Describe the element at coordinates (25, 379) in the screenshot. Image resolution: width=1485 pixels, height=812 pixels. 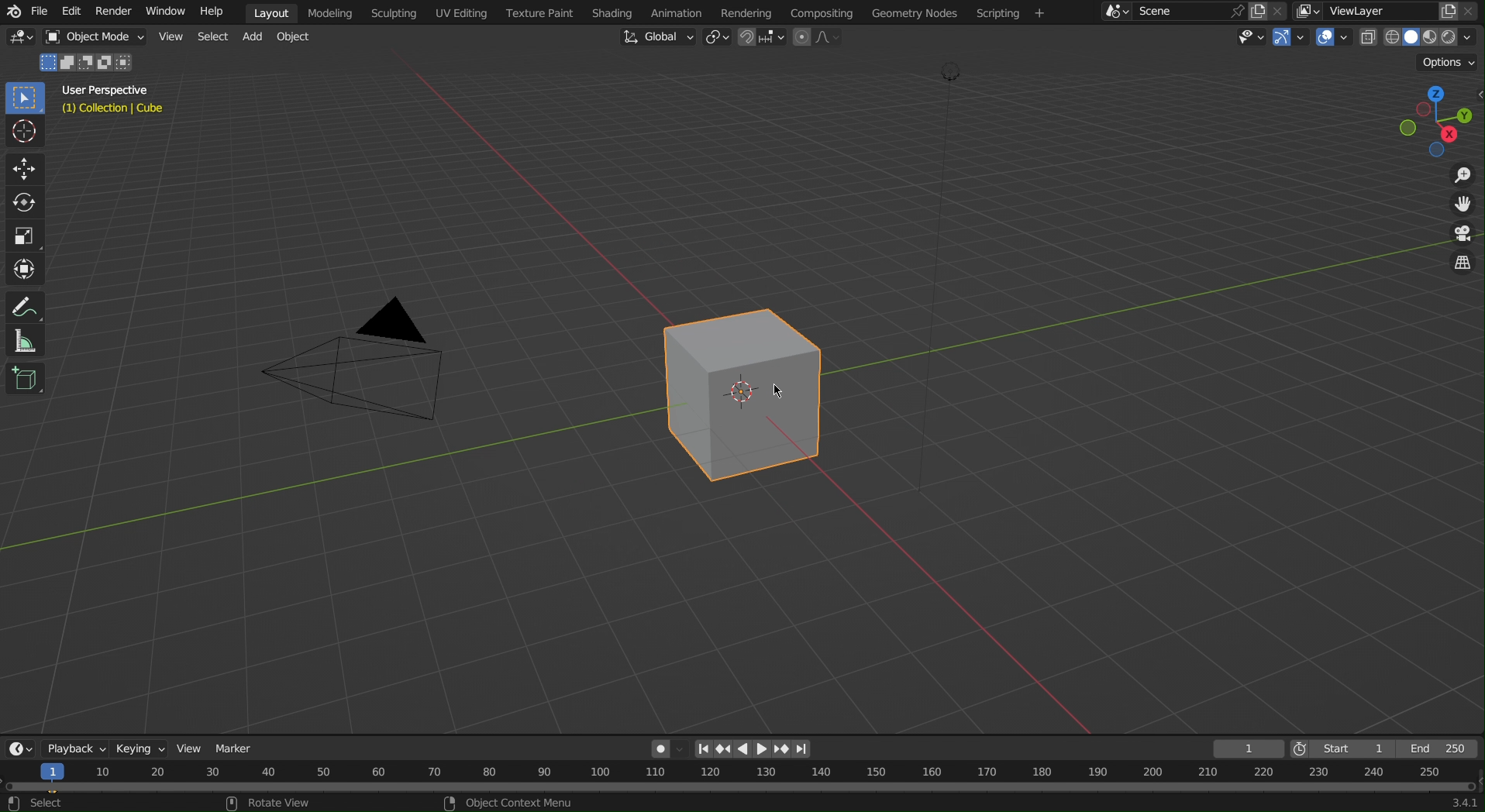
I see `Add Cube` at that location.